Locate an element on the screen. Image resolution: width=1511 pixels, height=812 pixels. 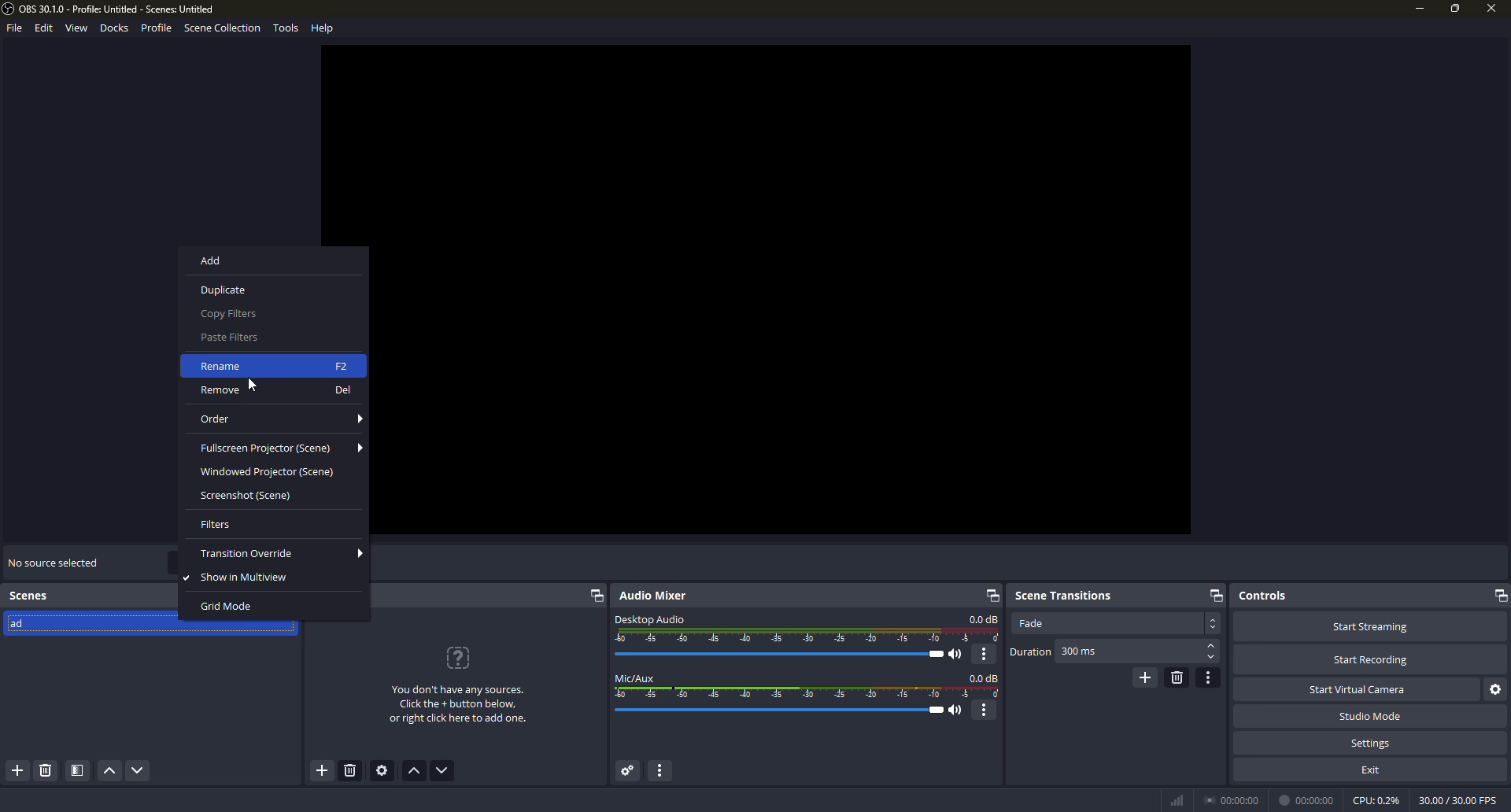
studio mode is located at coordinates (1369, 716).